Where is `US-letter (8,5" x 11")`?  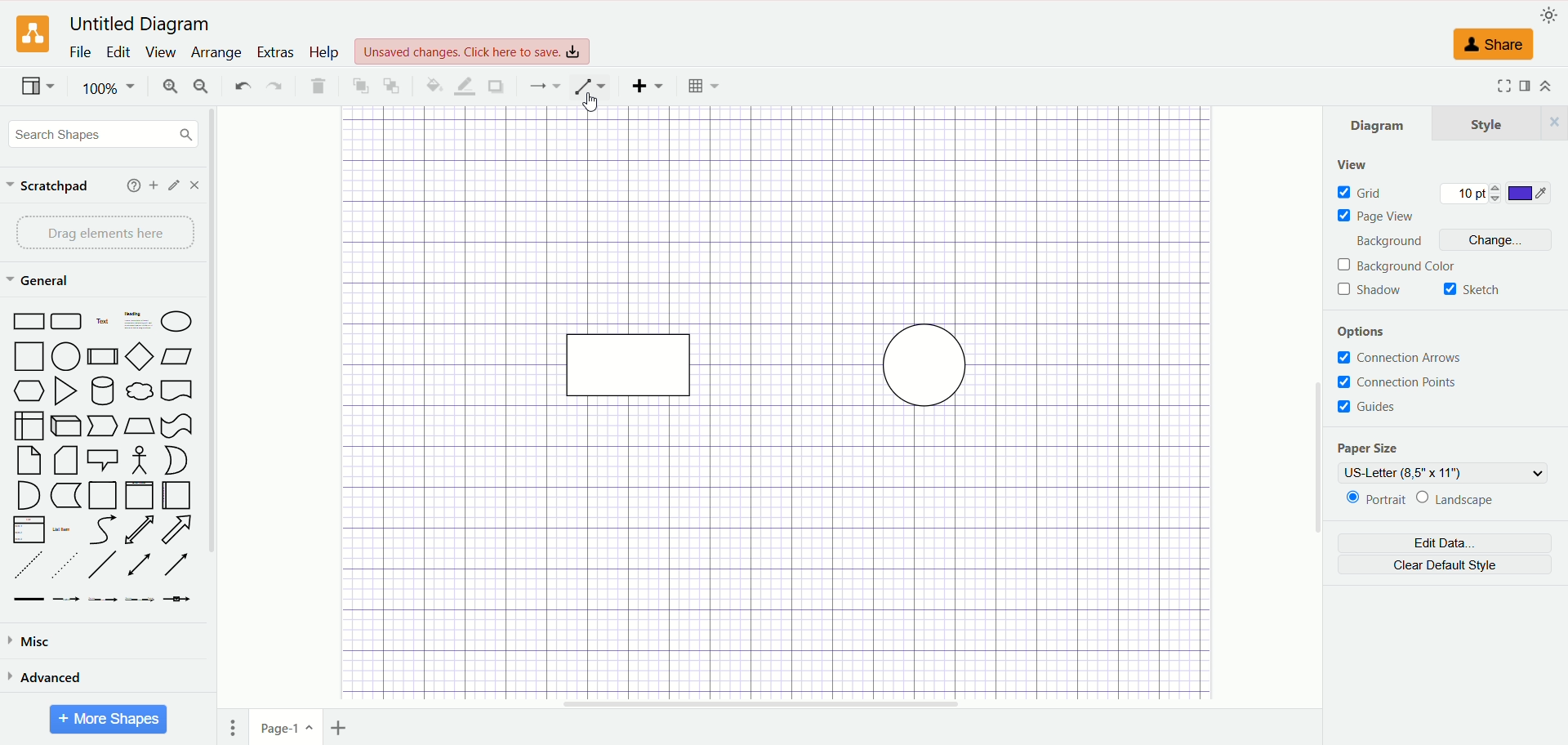 US-letter (8,5" x 11") is located at coordinates (1445, 473).